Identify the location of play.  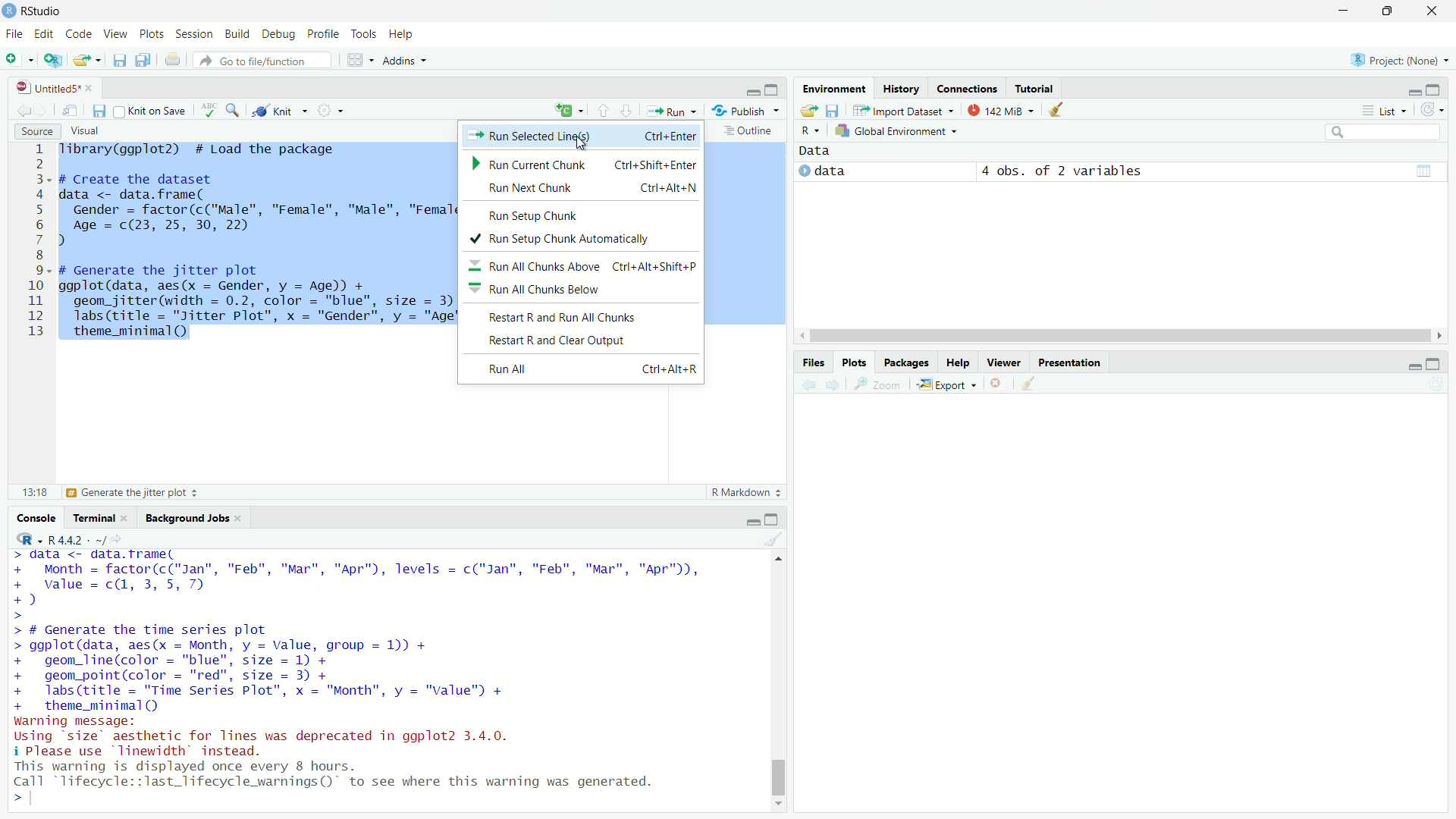
(805, 169).